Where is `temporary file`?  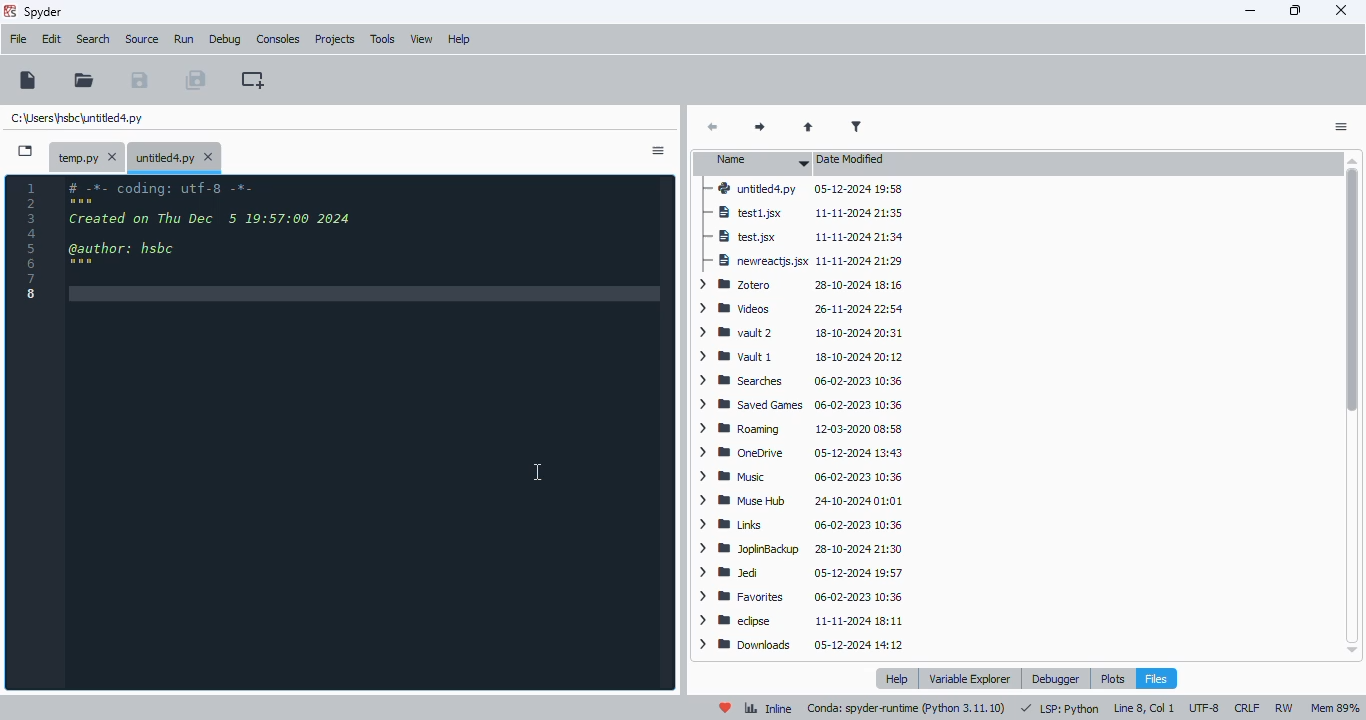 temporary file is located at coordinates (85, 156).